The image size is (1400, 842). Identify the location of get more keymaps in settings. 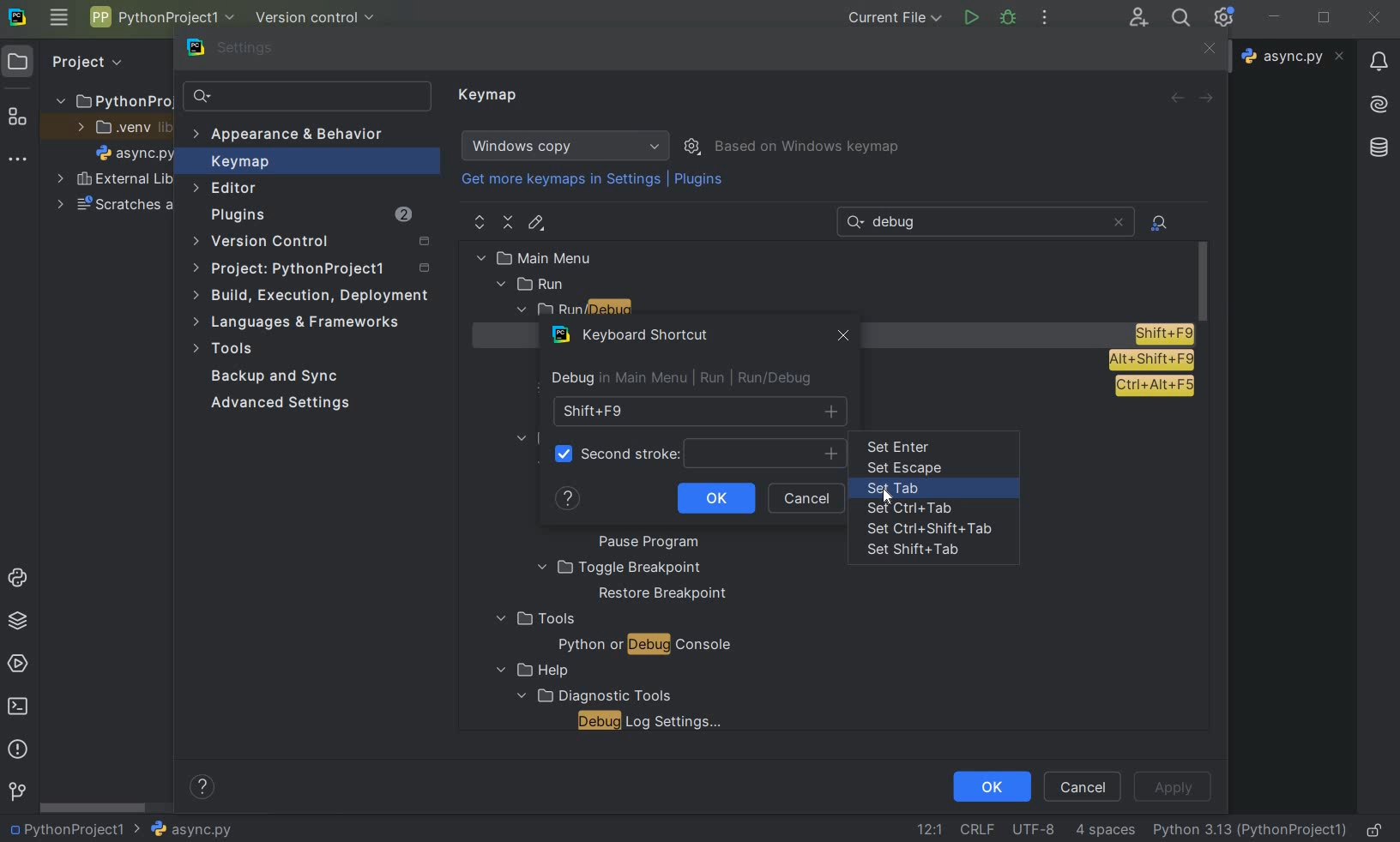
(563, 182).